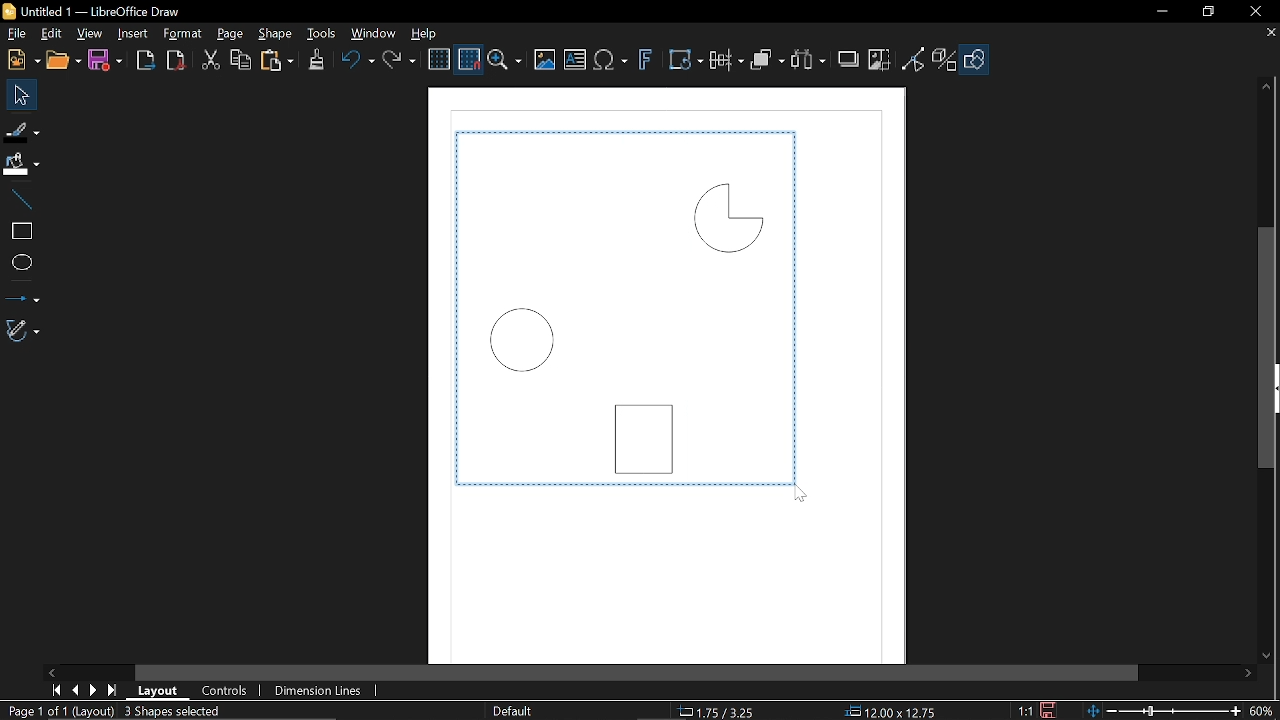 Image resolution: width=1280 pixels, height=720 pixels. Describe the element at coordinates (359, 62) in the screenshot. I see `undo` at that location.